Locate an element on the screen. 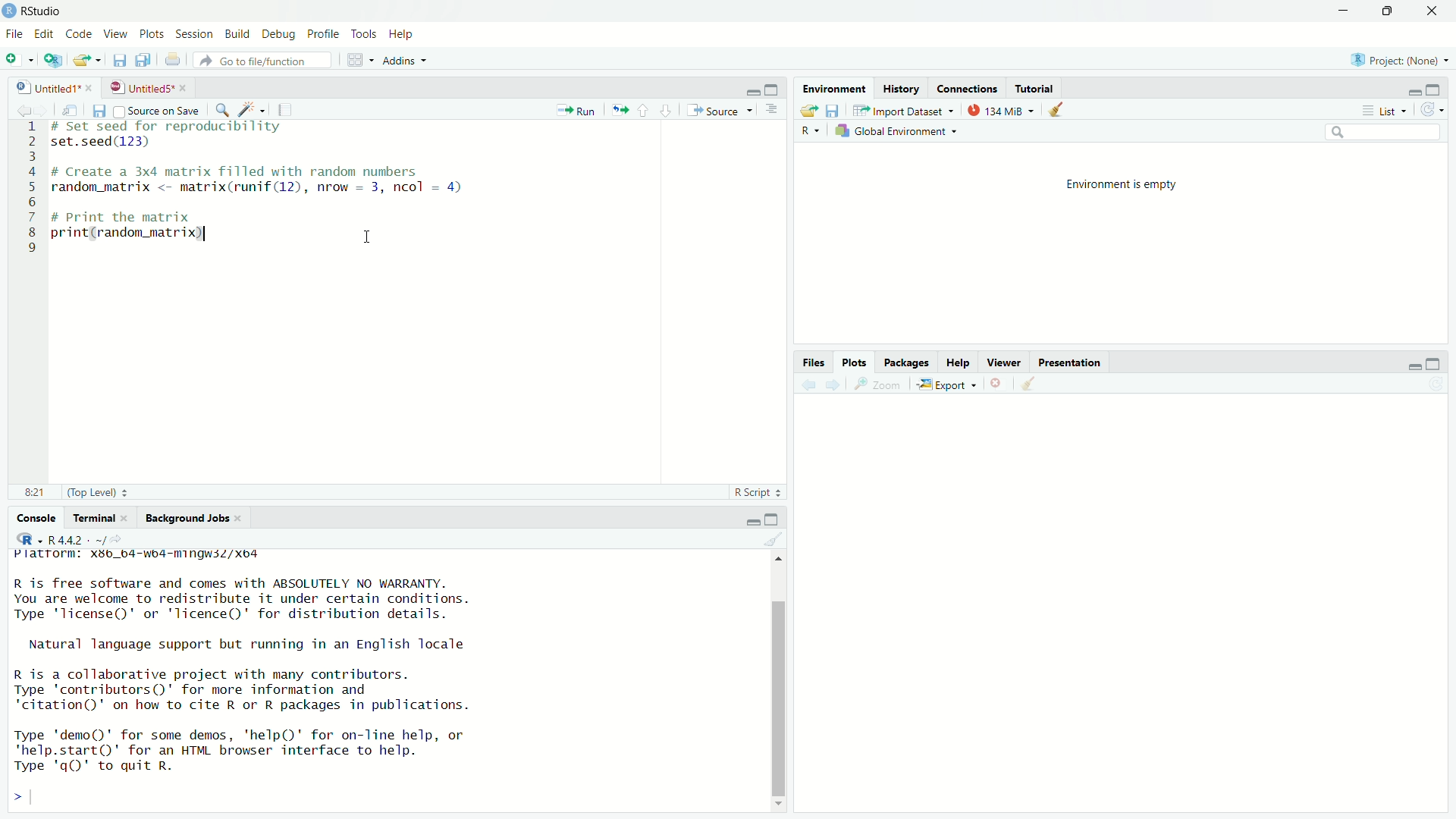 This screenshot has height=819, width=1456. File is located at coordinates (15, 33).